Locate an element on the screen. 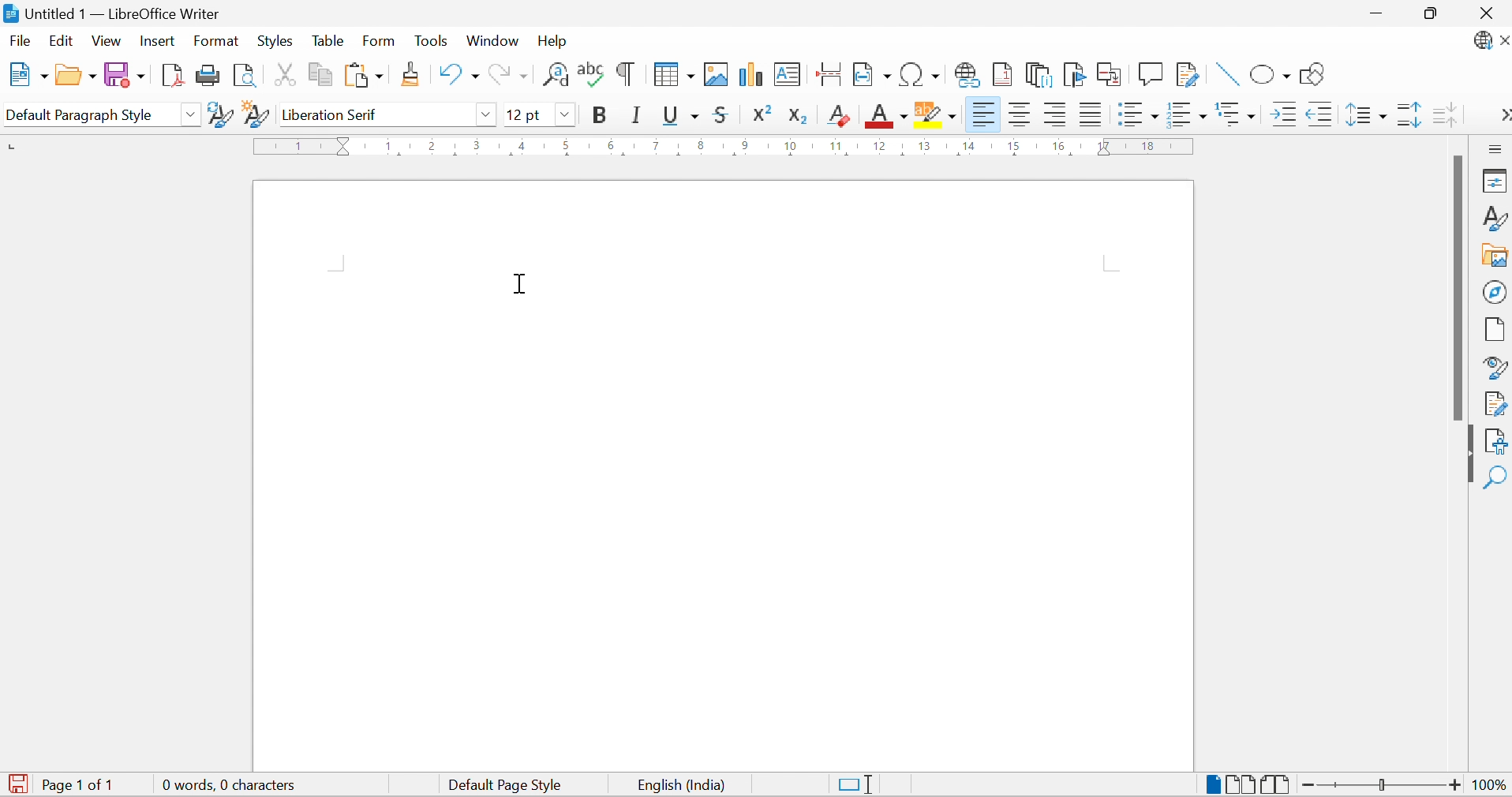 The width and height of the screenshot is (1512, 797). Multiple Page View is located at coordinates (1241, 783).